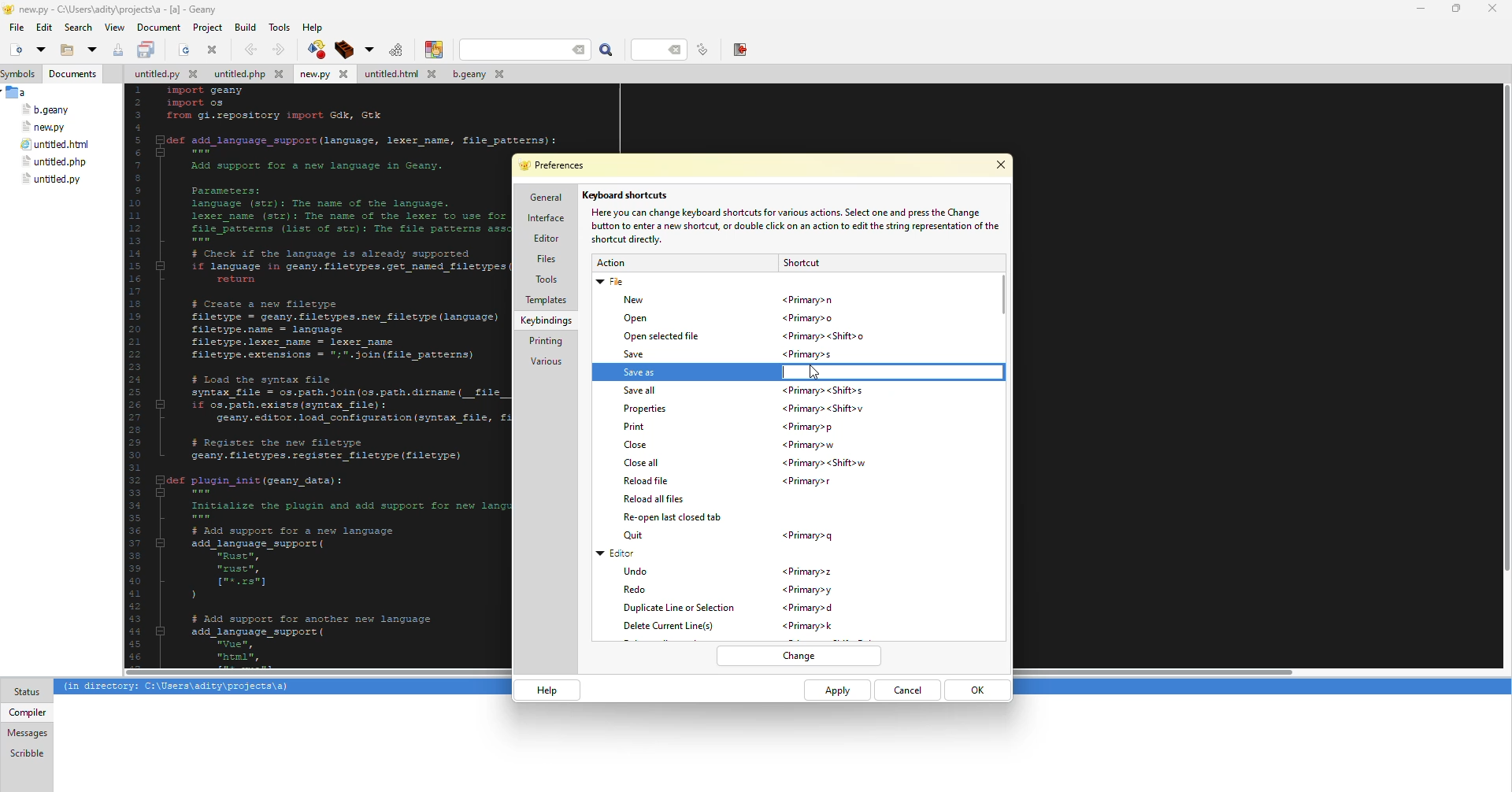  Describe the element at coordinates (674, 518) in the screenshot. I see `reopen` at that location.